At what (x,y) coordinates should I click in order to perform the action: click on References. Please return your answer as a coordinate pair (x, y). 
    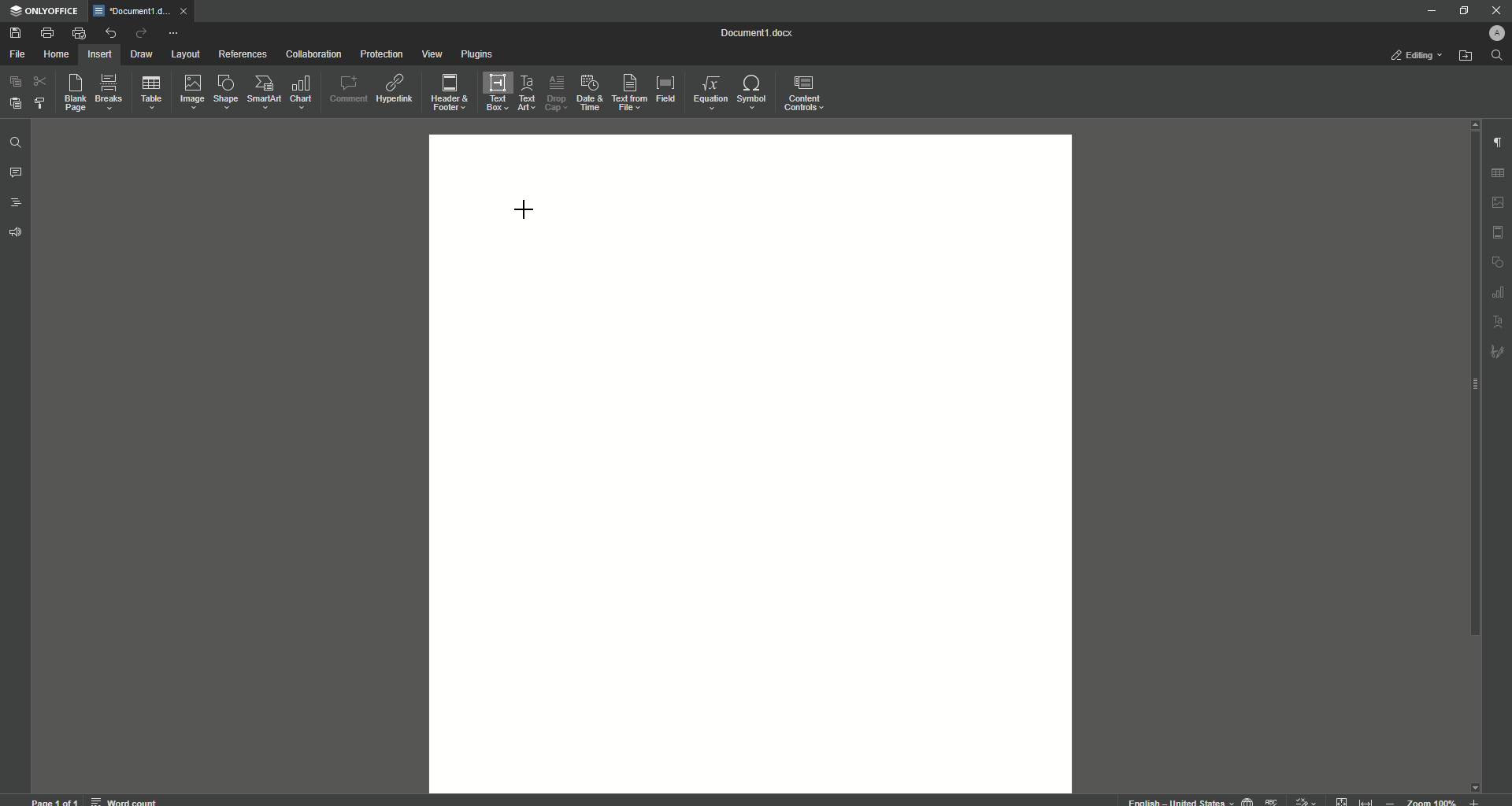
    Looking at the image, I should click on (243, 54).